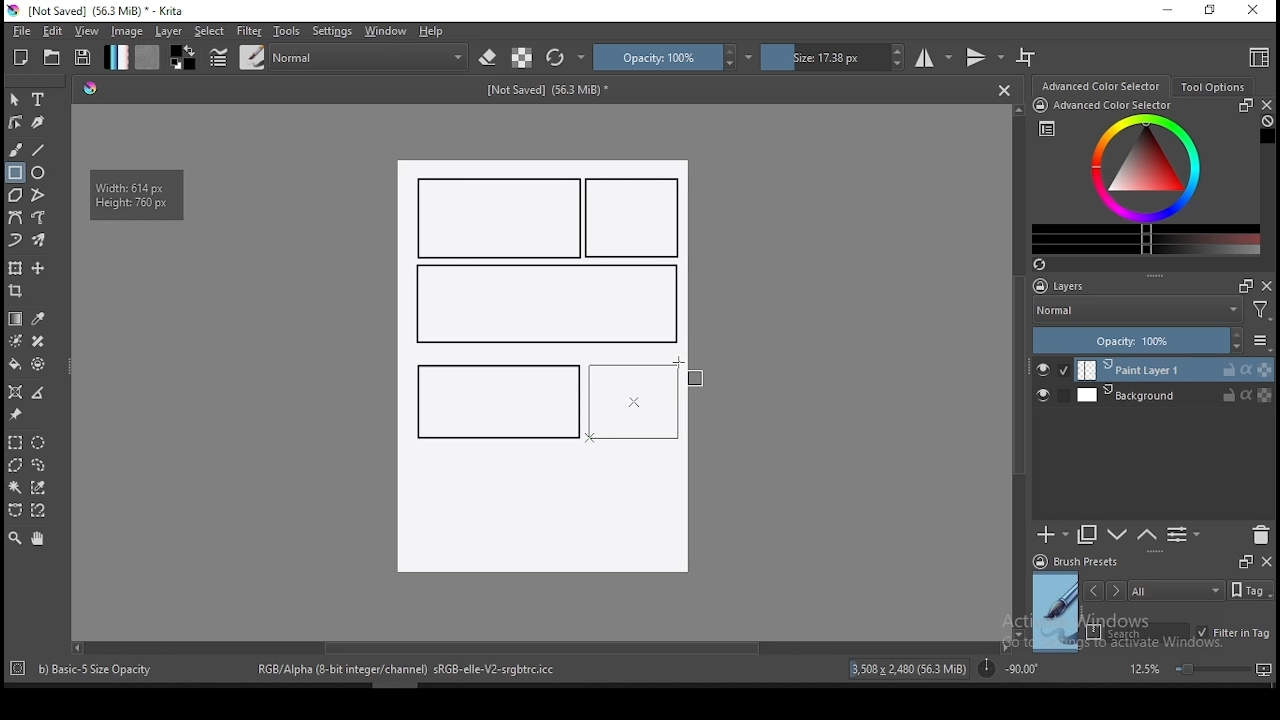  Describe the element at coordinates (370, 57) in the screenshot. I see `blending mode` at that location.